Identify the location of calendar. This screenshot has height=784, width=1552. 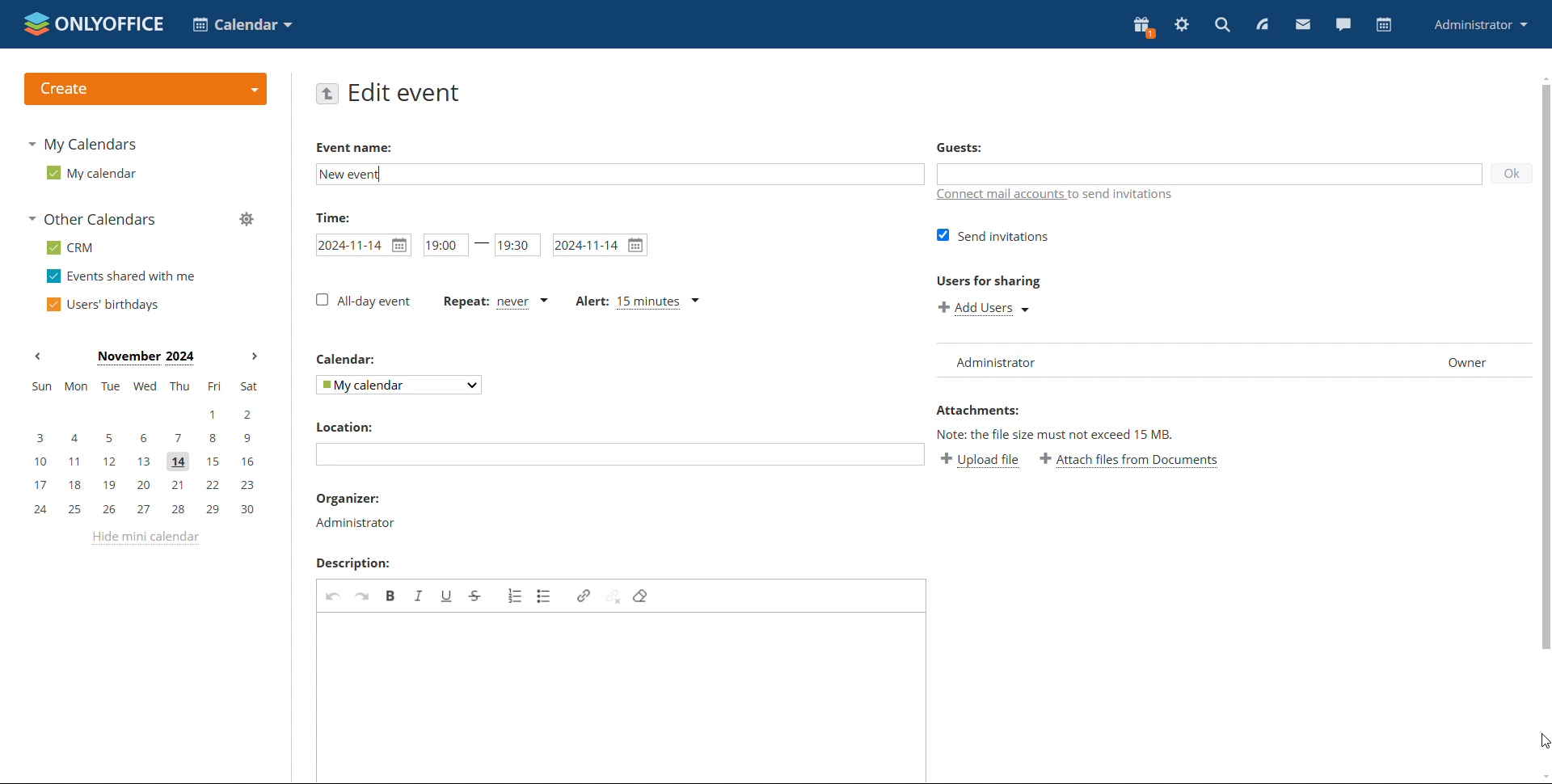
(1385, 25).